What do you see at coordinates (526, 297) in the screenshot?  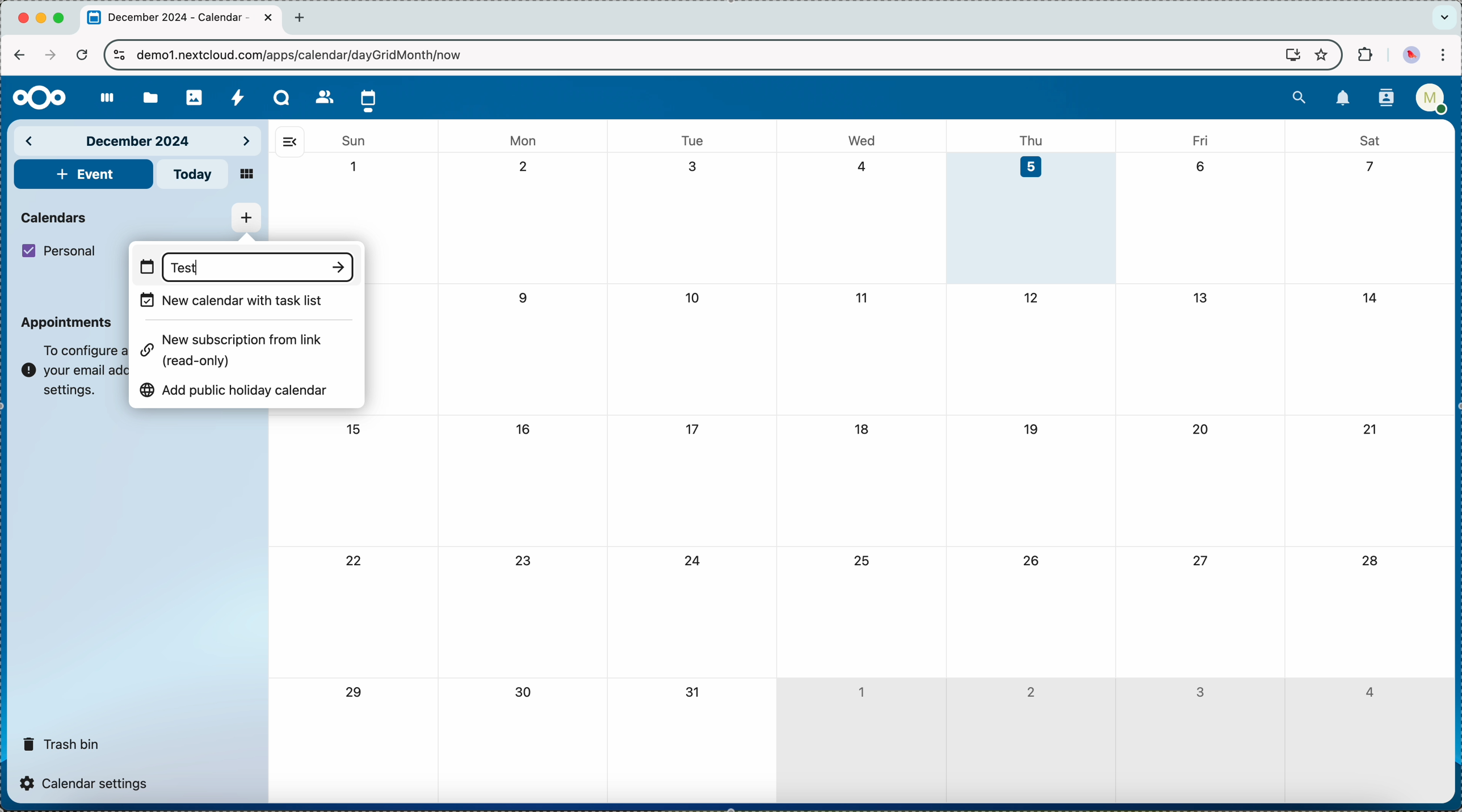 I see `9` at bounding box center [526, 297].